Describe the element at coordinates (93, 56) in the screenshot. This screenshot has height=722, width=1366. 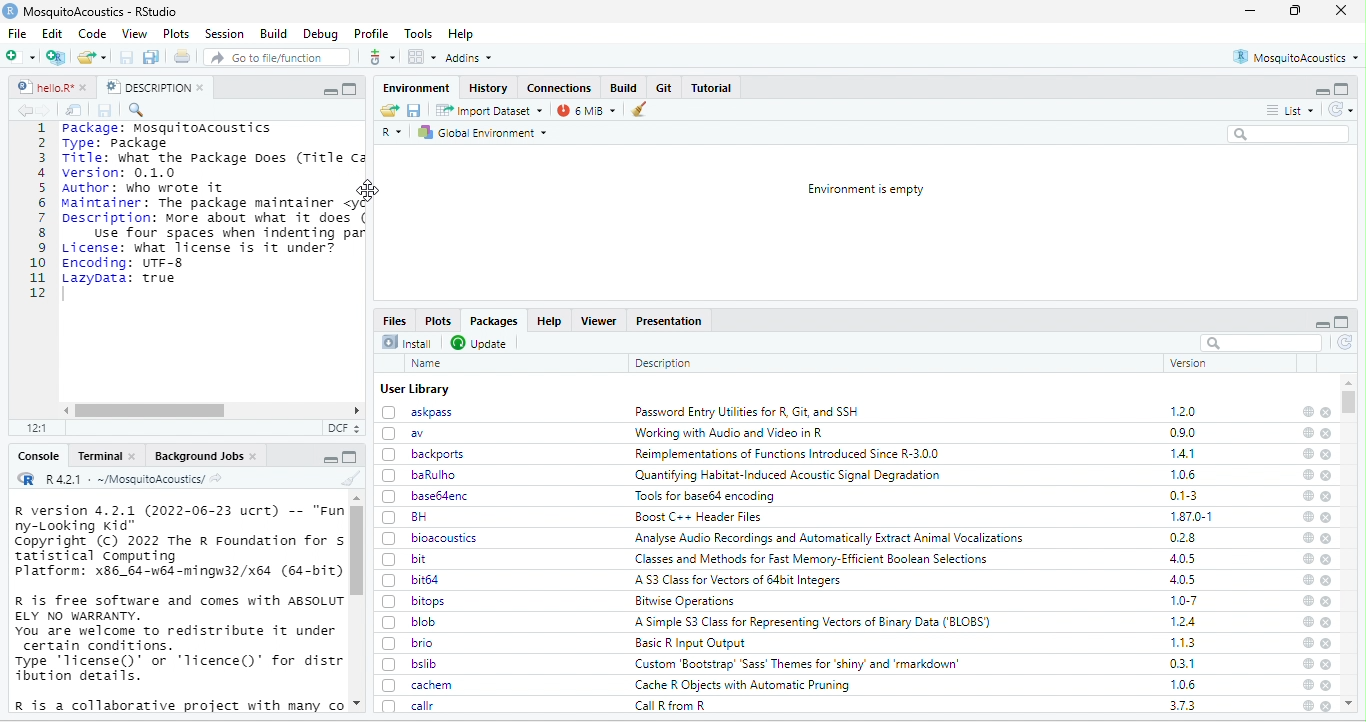
I see `open an existing file` at that location.